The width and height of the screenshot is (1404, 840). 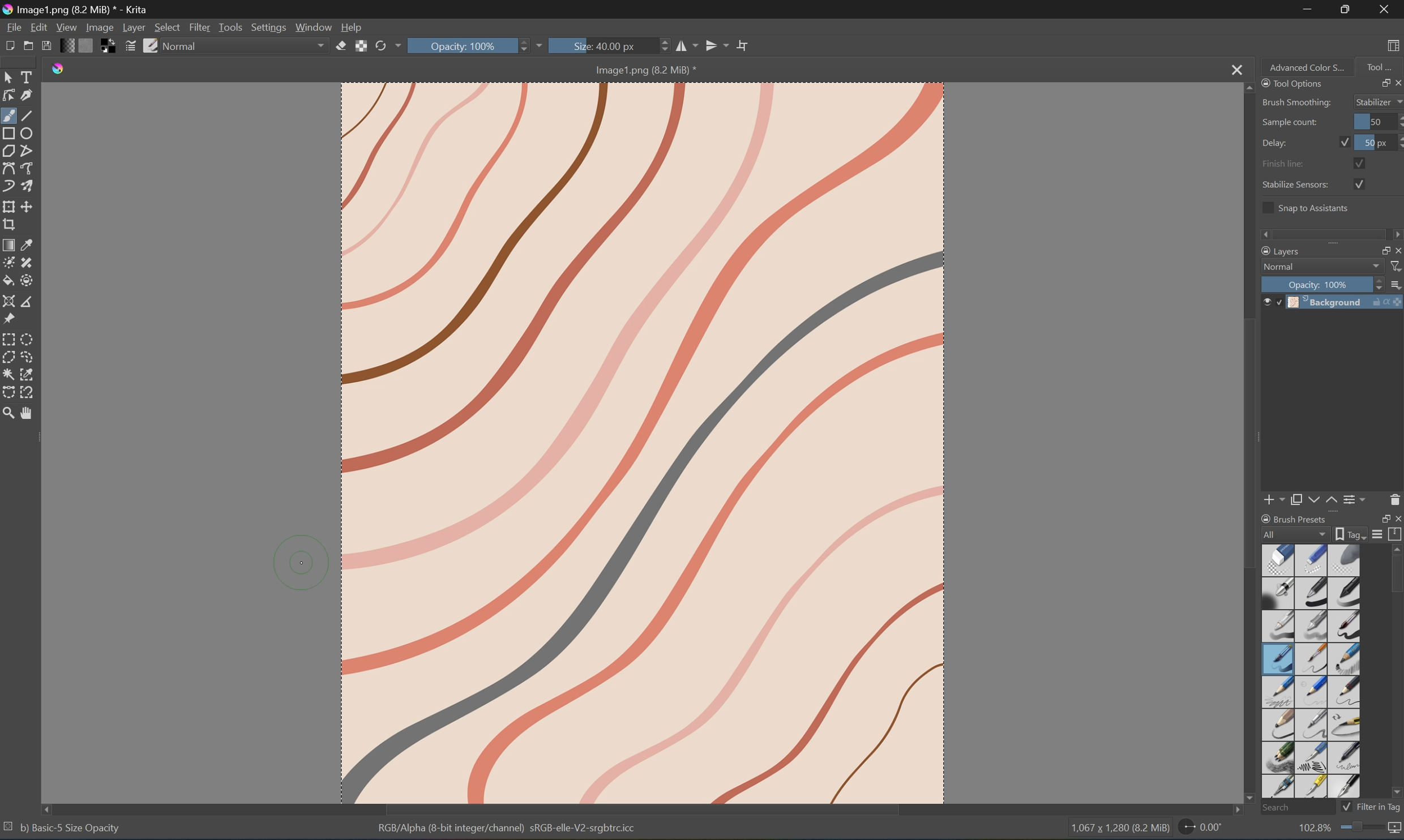 I want to click on Zoom tool, so click(x=9, y=413).